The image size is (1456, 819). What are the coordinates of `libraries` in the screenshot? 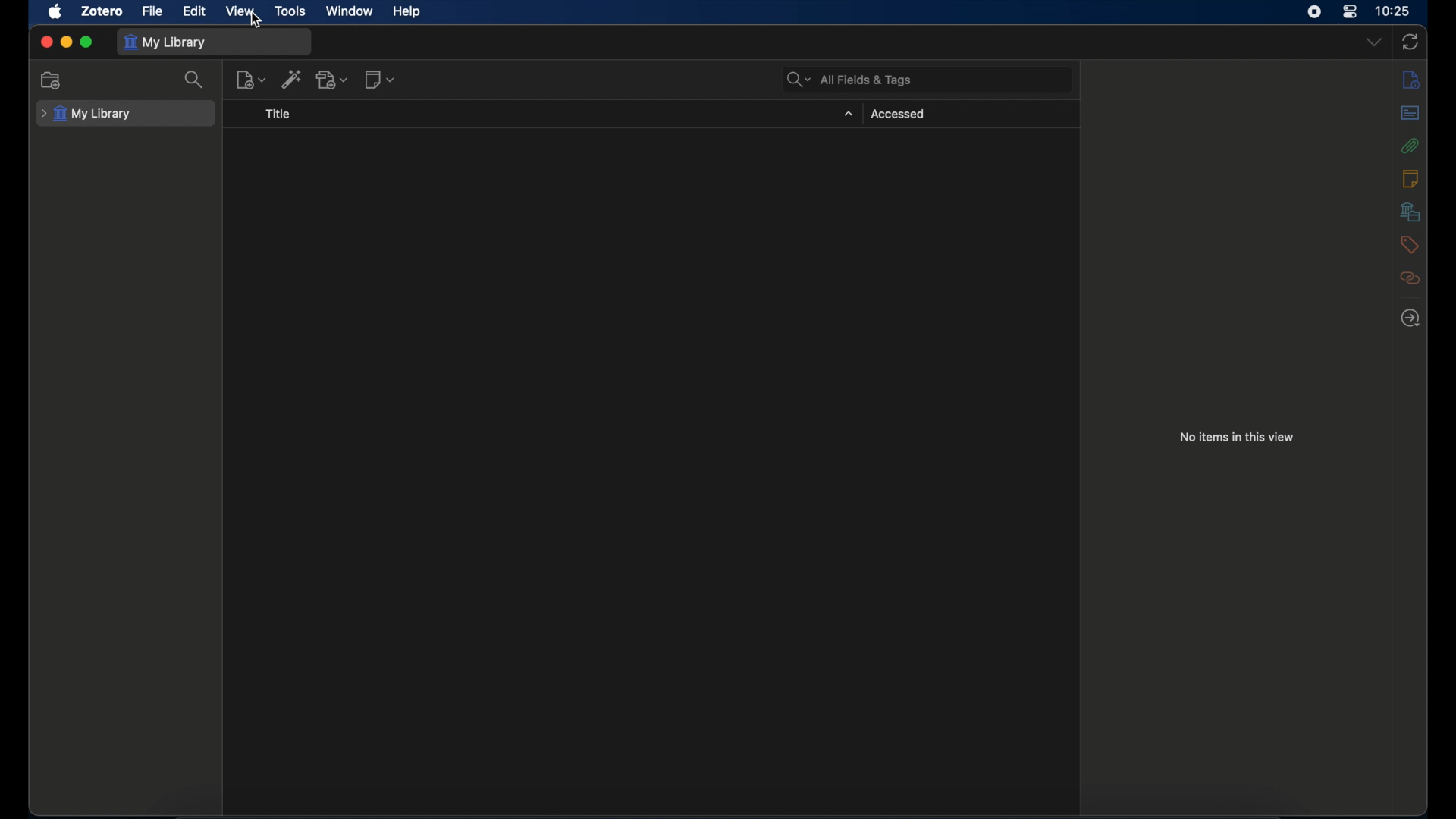 It's located at (1410, 212).